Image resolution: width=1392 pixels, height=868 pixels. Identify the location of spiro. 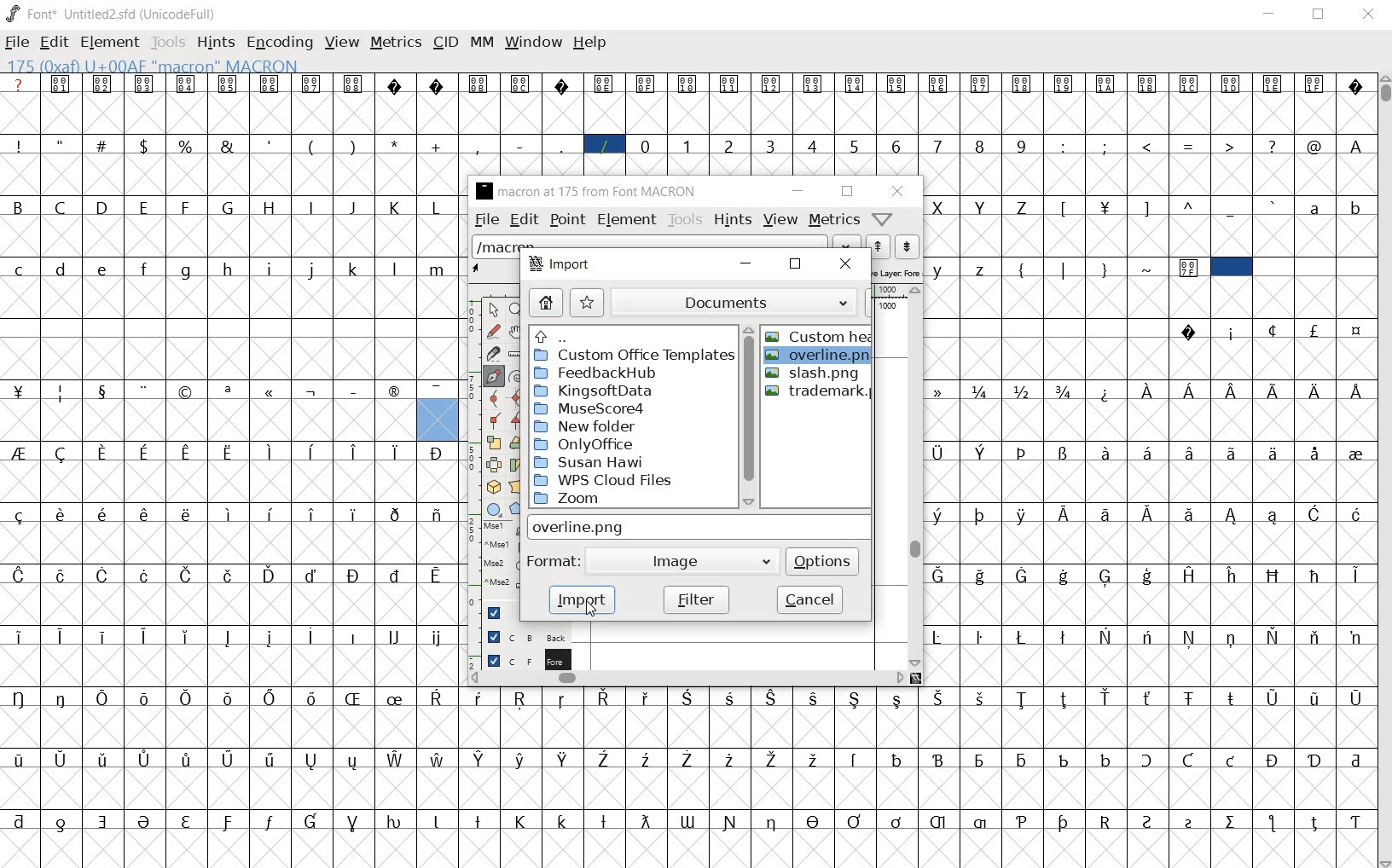
(514, 374).